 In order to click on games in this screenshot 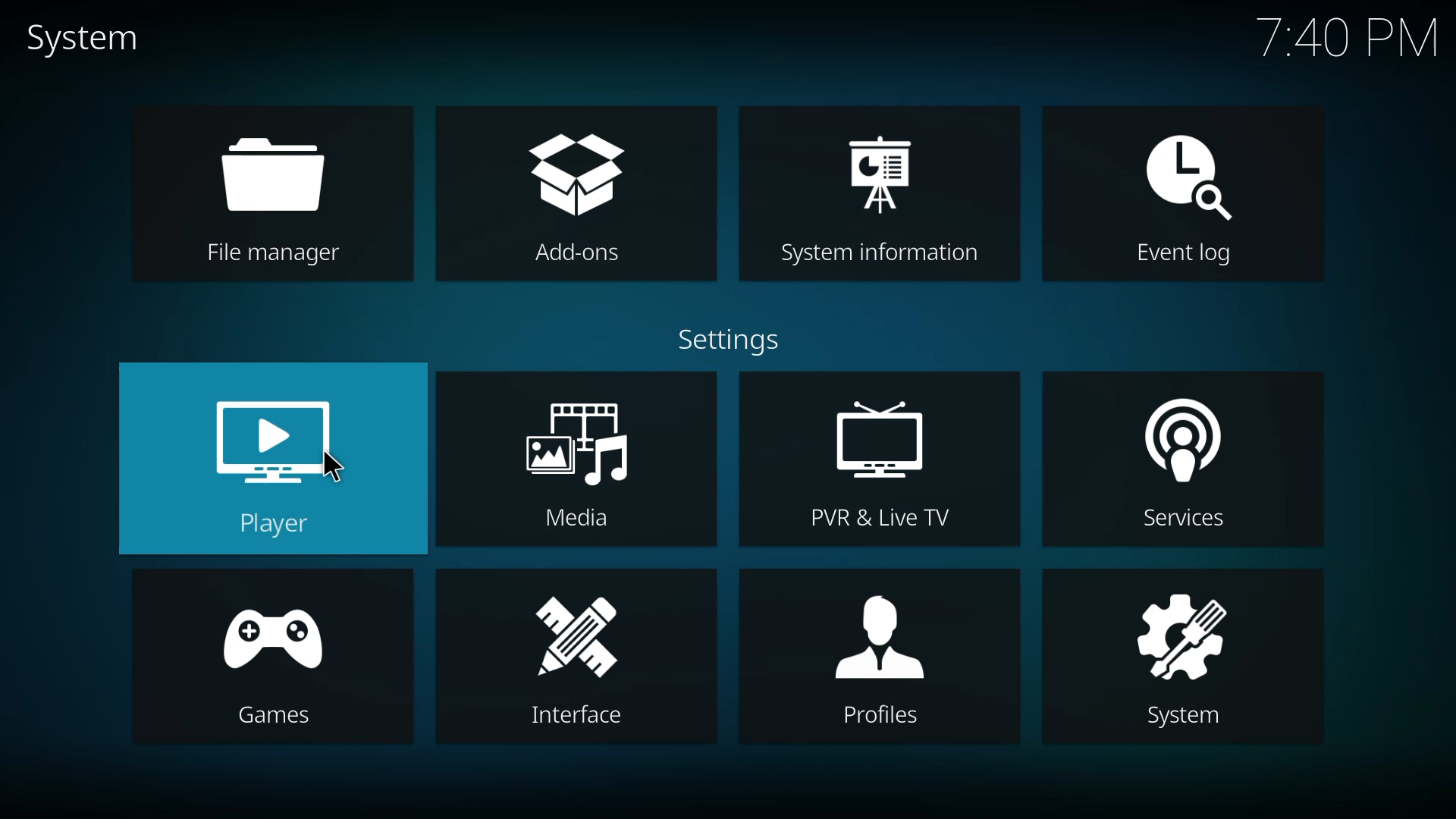, I will do `click(276, 654)`.